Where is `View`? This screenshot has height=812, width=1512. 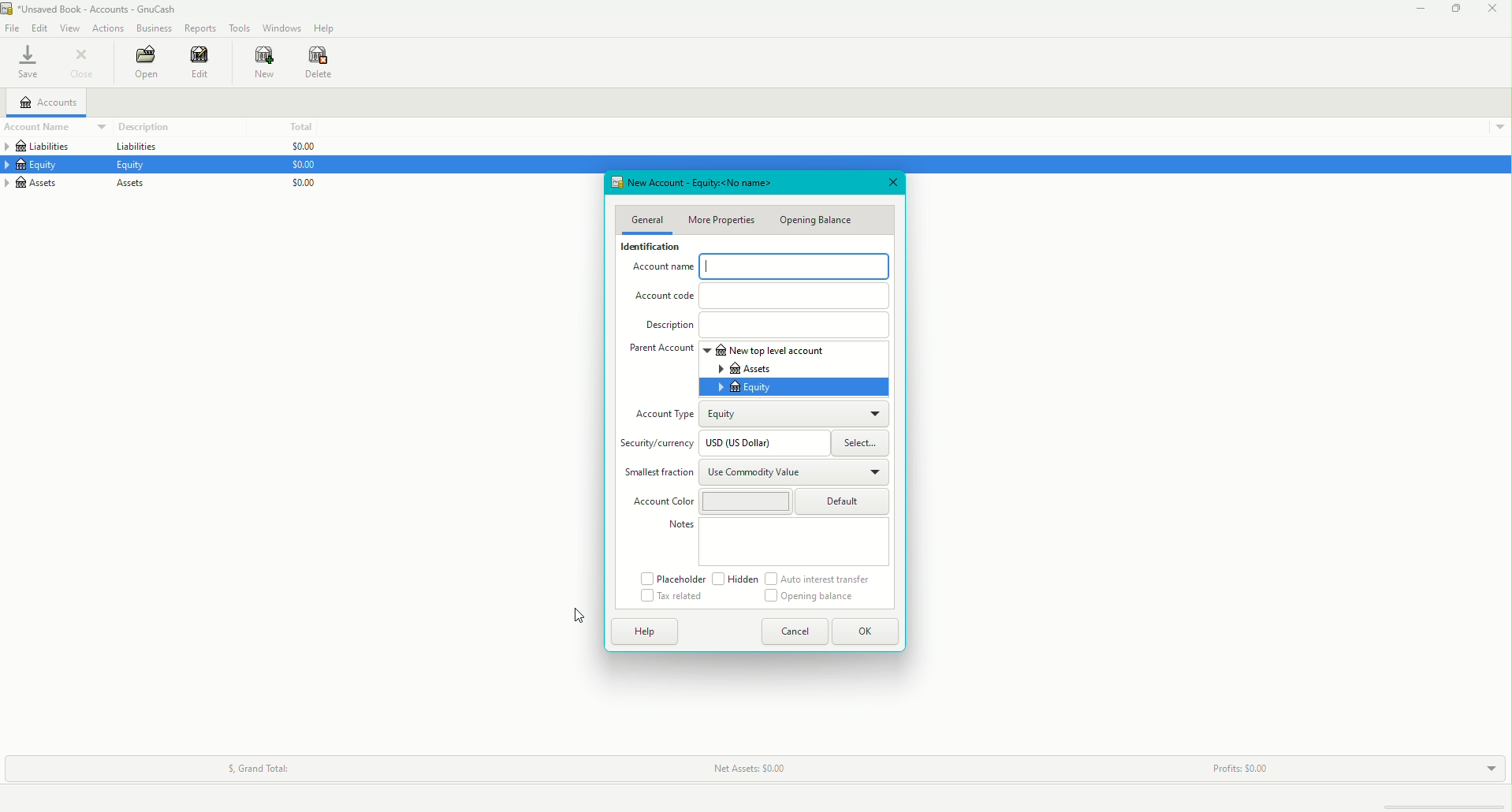
View is located at coordinates (69, 27).